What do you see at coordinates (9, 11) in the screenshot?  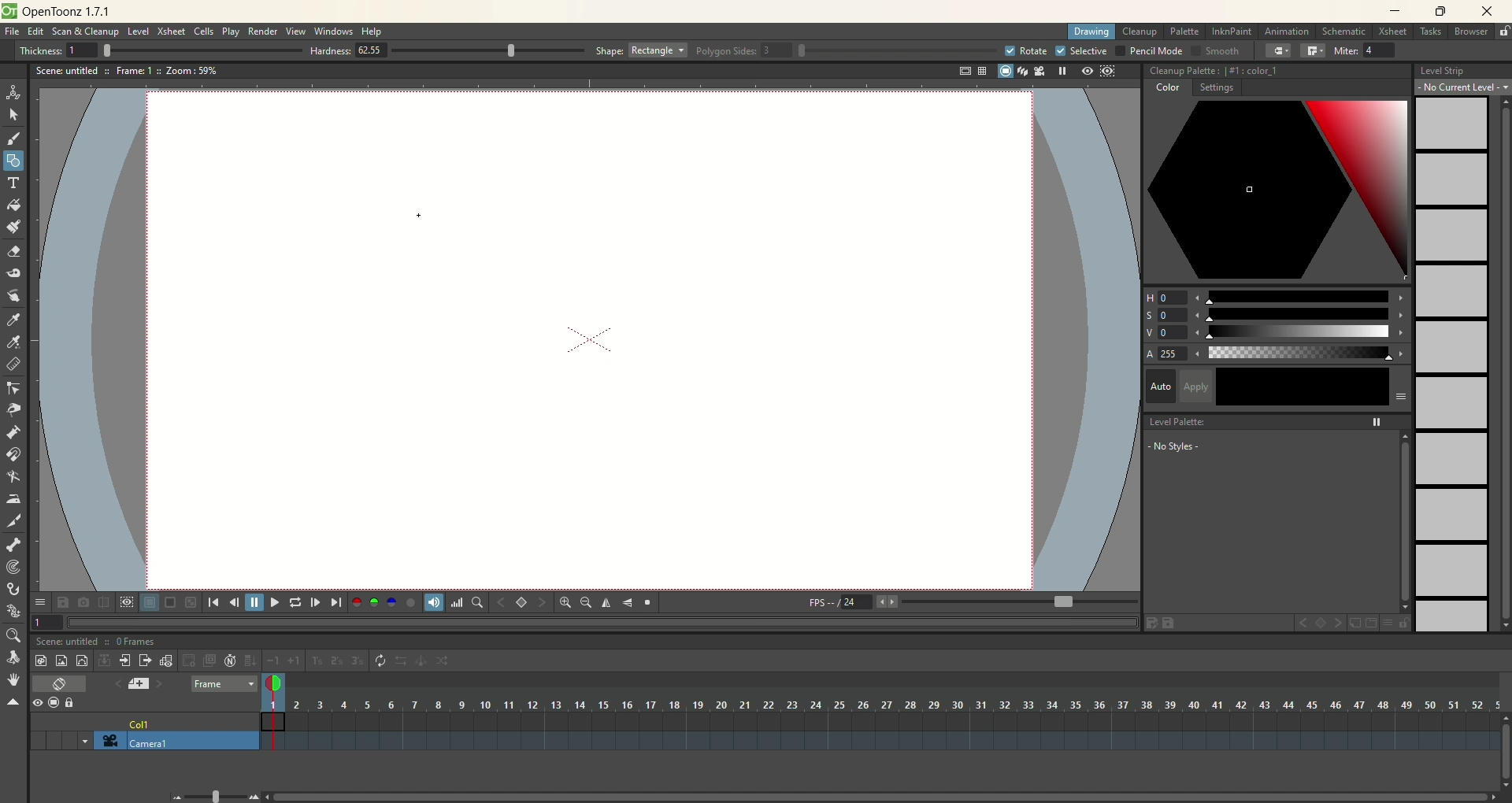 I see `logo` at bounding box center [9, 11].